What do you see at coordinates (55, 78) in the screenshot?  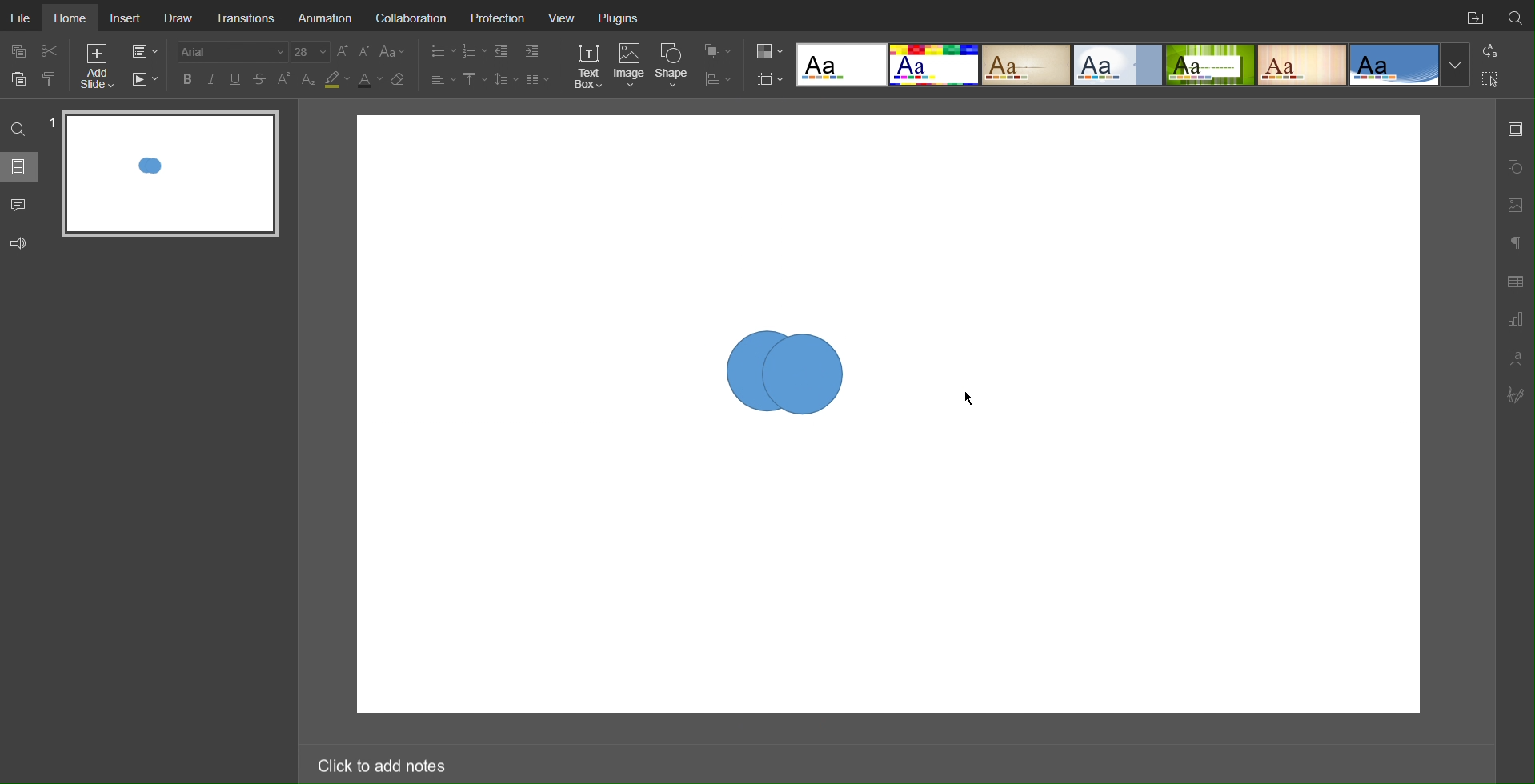 I see `copy style` at bounding box center [55, 78].